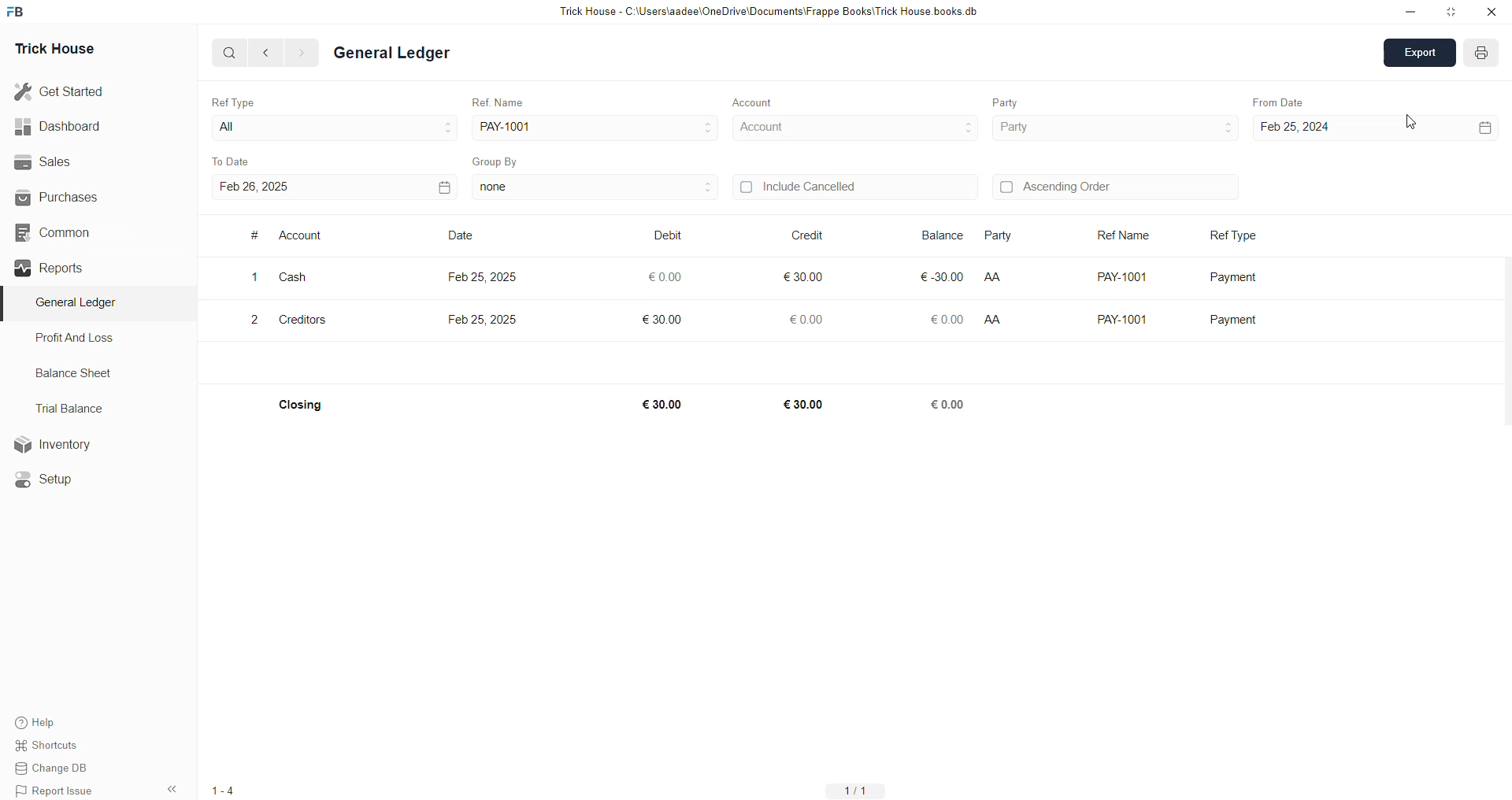 This screenshot has width=1512, height=800. I want to click on Trick House, so click(50, 47).